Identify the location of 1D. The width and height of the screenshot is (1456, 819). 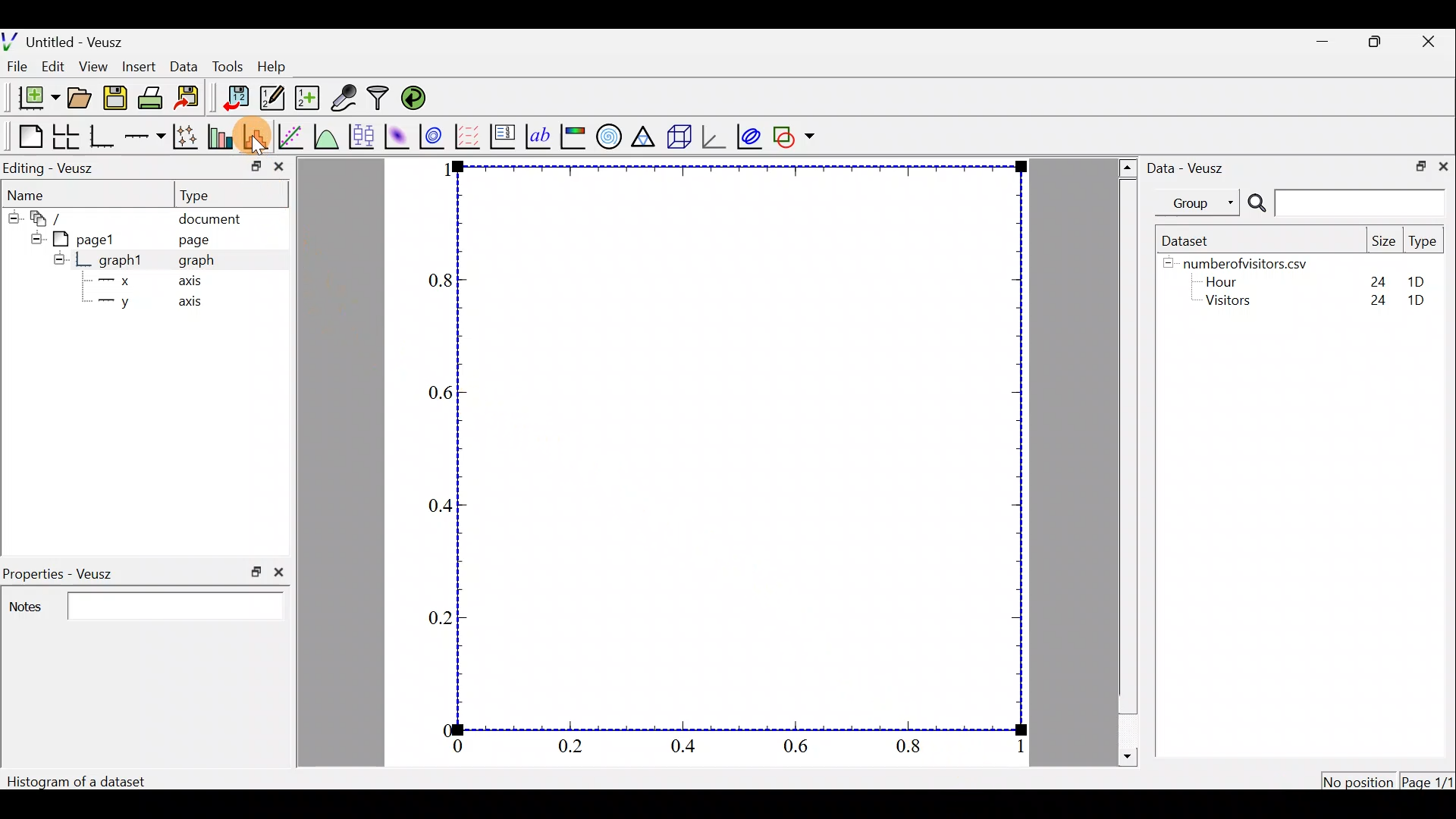
(1410, 278).